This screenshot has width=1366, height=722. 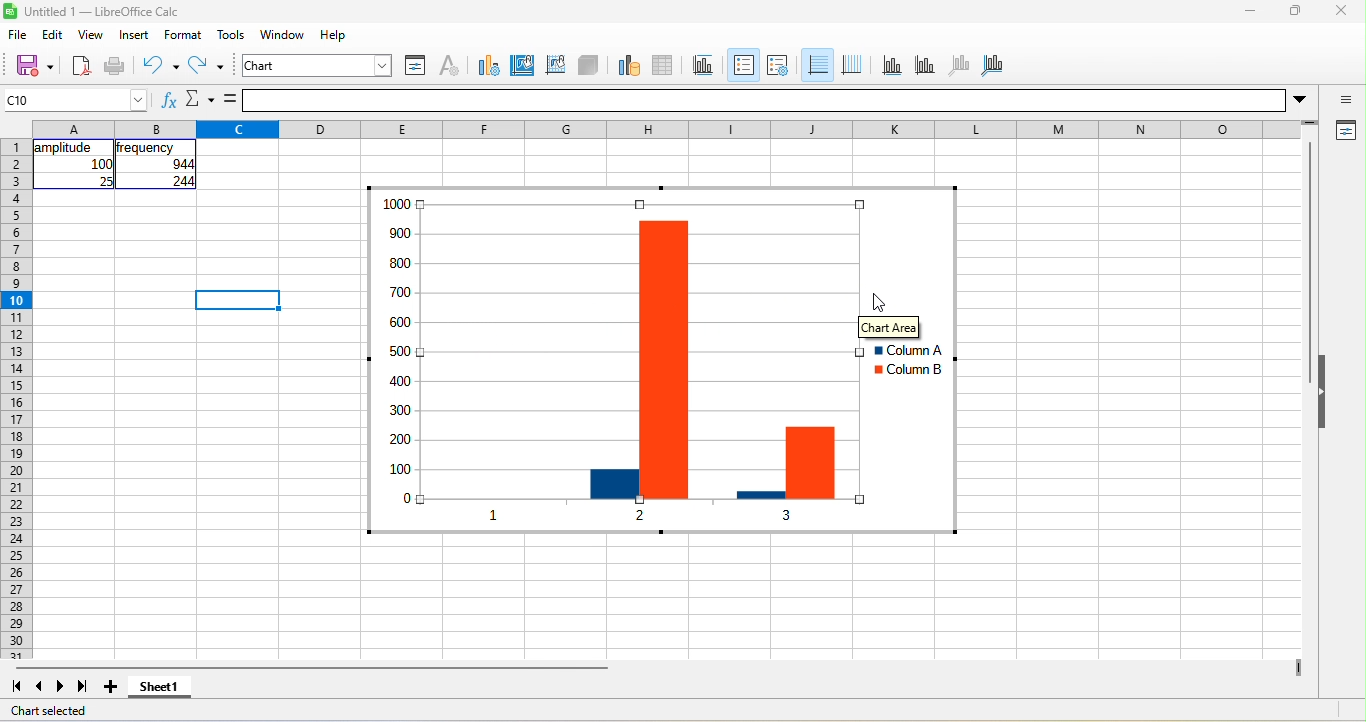 What do you see at coordinates (199, 101) in the screenshot?
I see `select function` at bounding box center [199, 101].